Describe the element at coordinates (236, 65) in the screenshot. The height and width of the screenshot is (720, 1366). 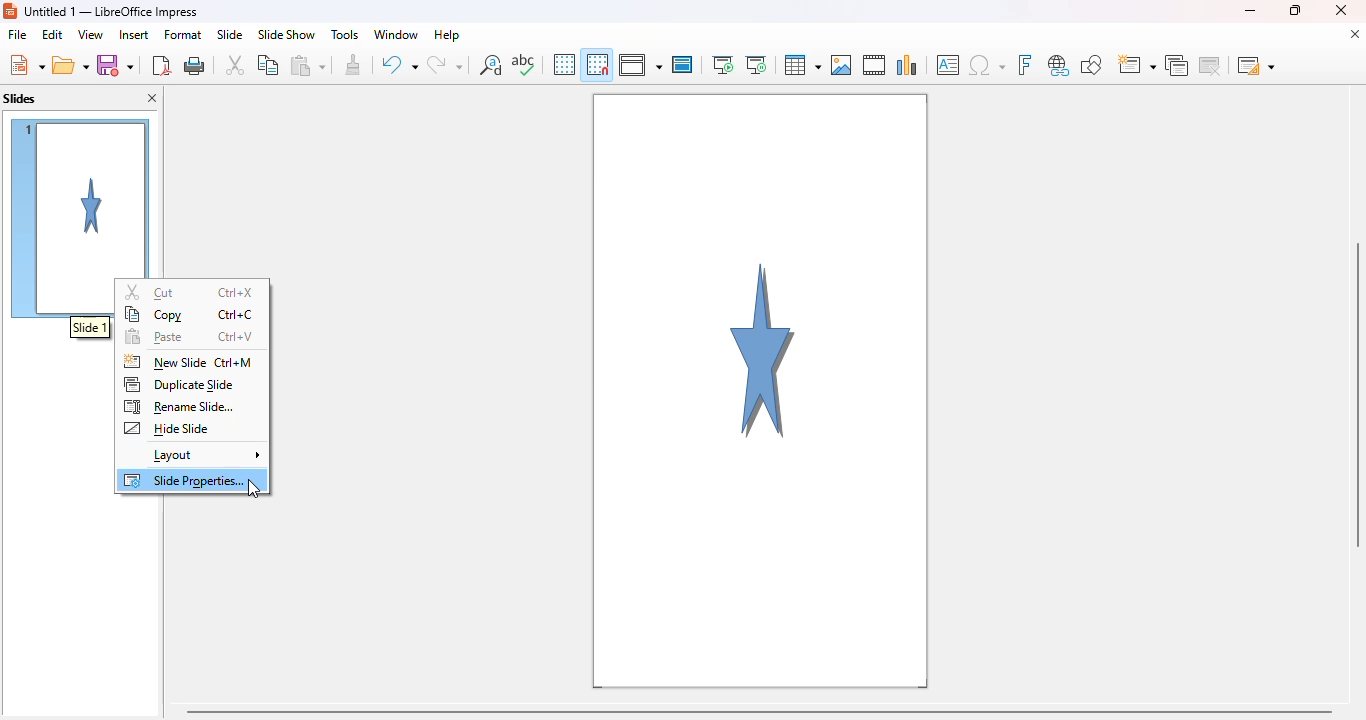
I see `cut` at that location.